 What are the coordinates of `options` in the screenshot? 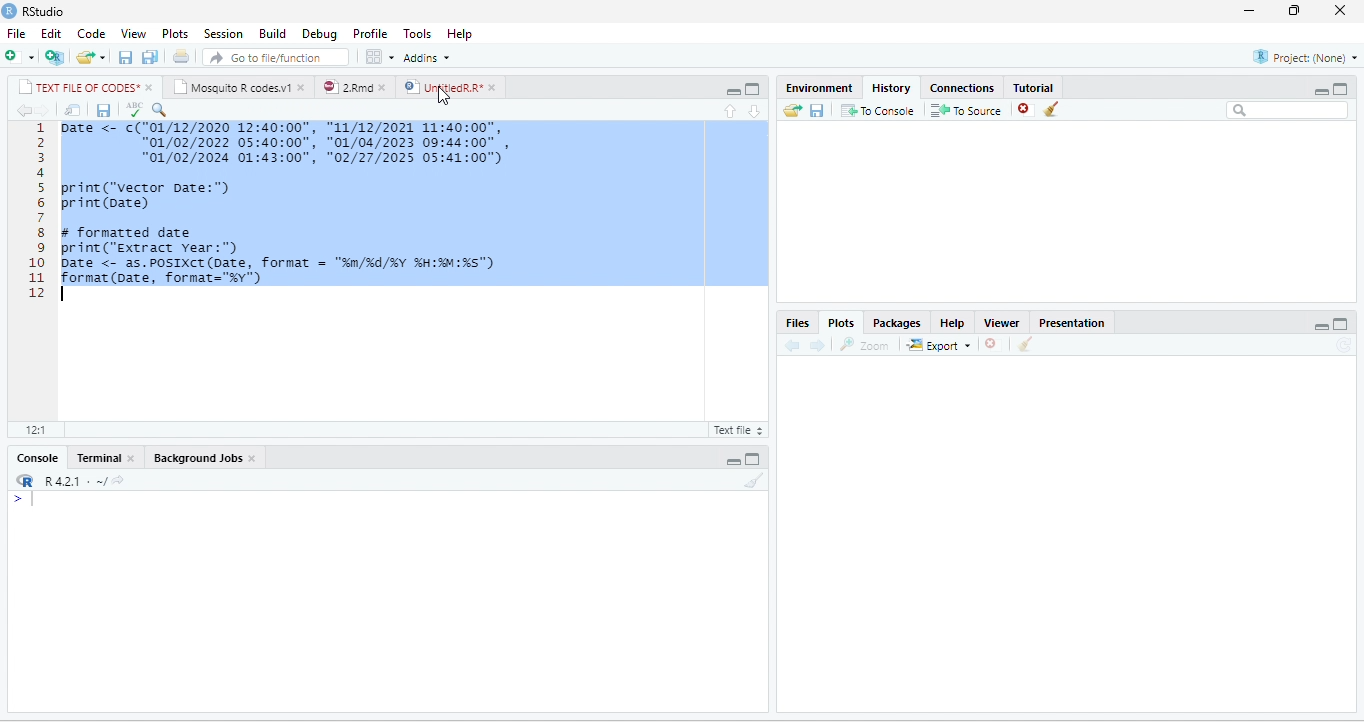 It's located at (381, 57).